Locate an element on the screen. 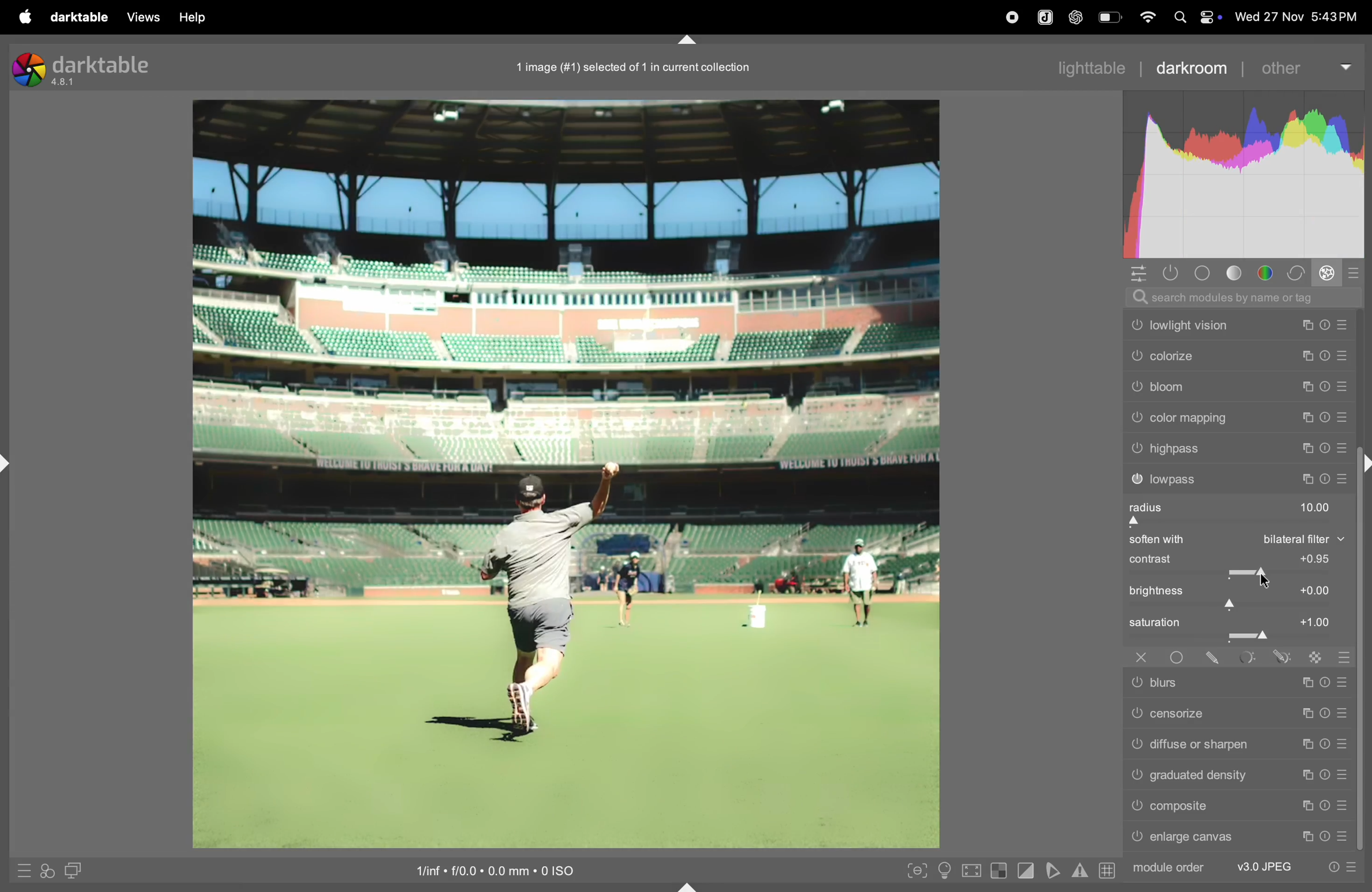  toggle iso is located at coordinates (947, 871).